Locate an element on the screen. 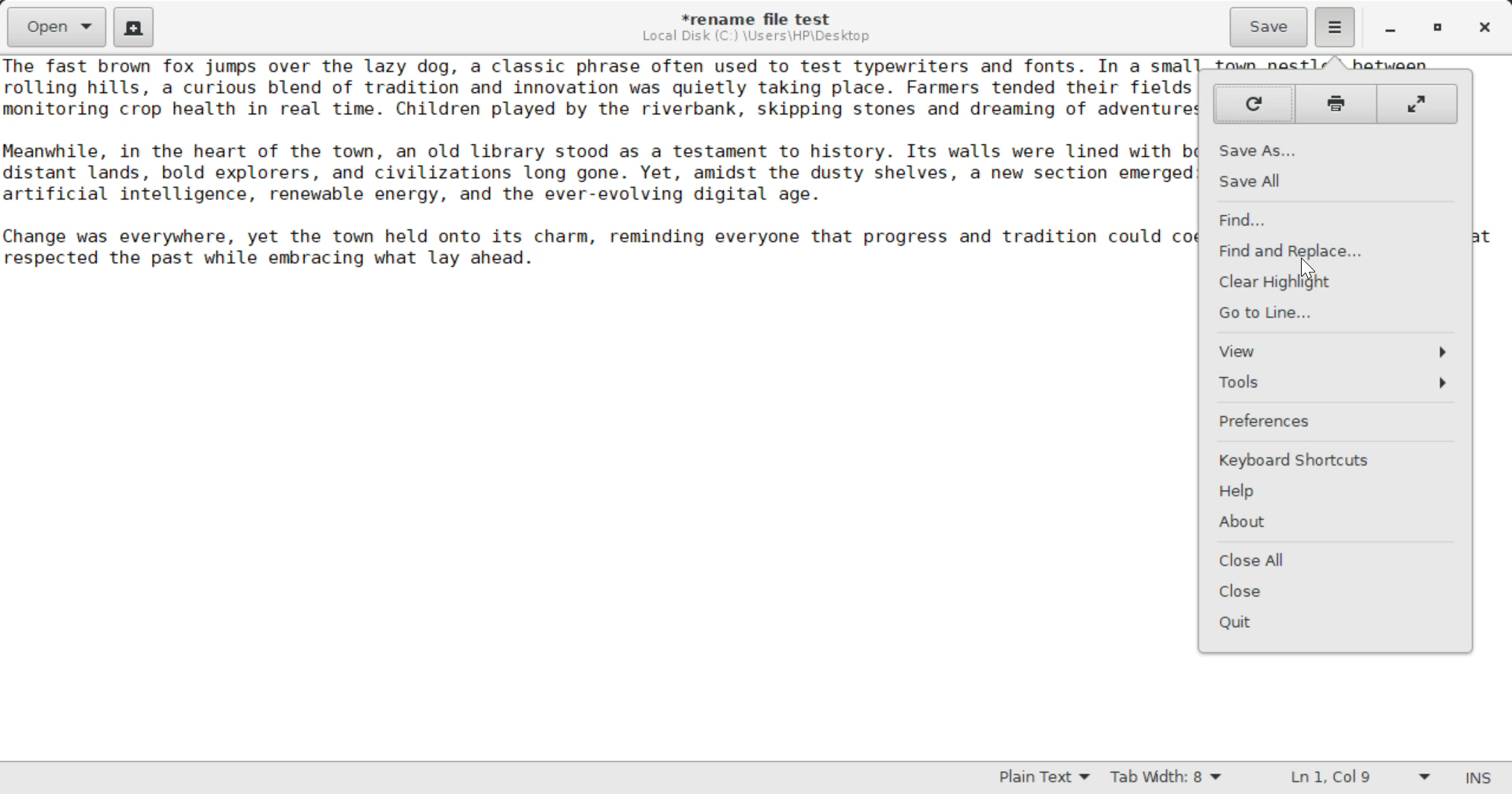 This screenshot has height=794, width=1512. Preferences is located at coordinates (1332, 421).